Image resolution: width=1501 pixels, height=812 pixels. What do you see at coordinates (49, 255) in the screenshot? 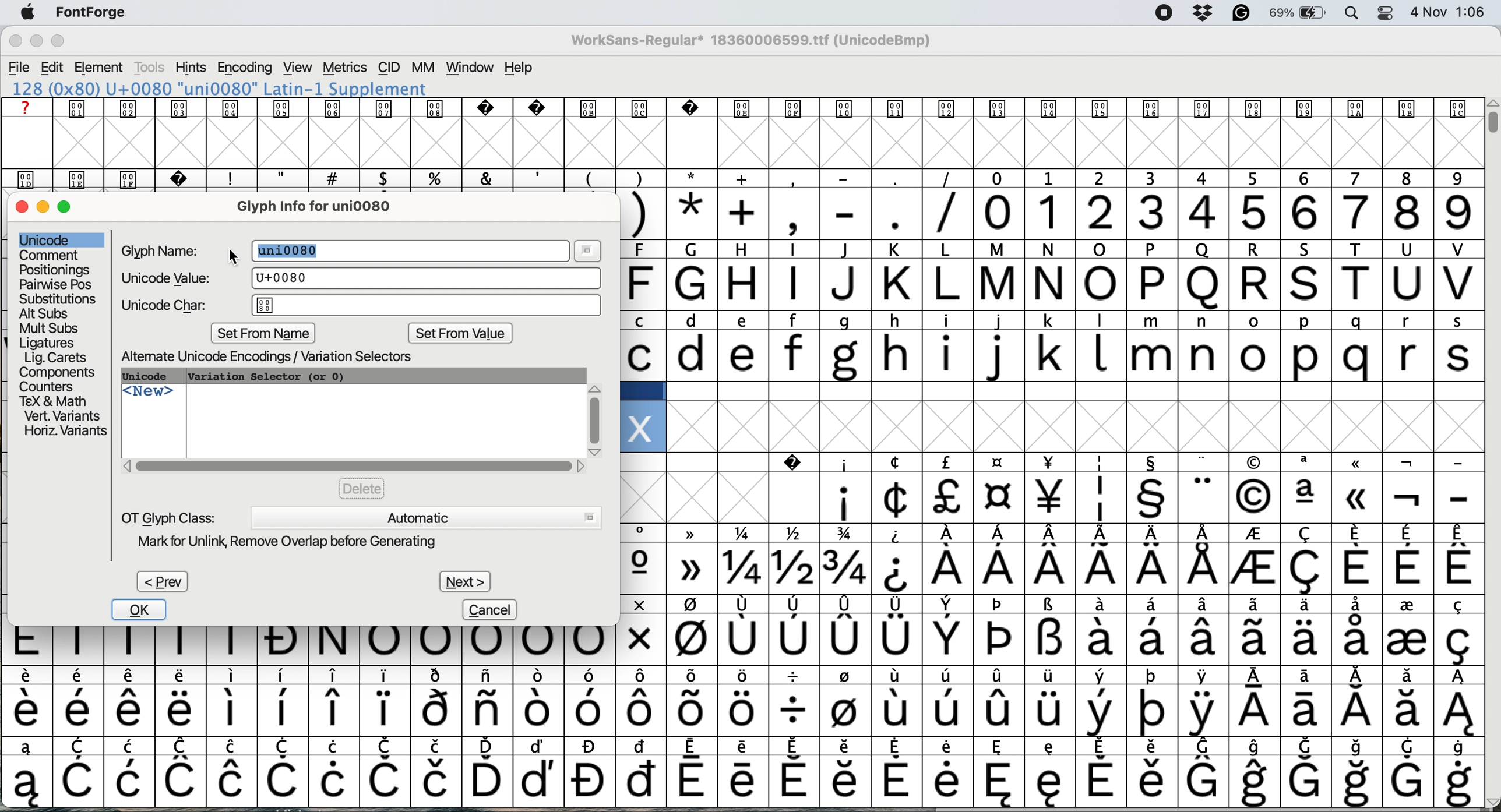
I see `comment` at bounding box center [49, 255].